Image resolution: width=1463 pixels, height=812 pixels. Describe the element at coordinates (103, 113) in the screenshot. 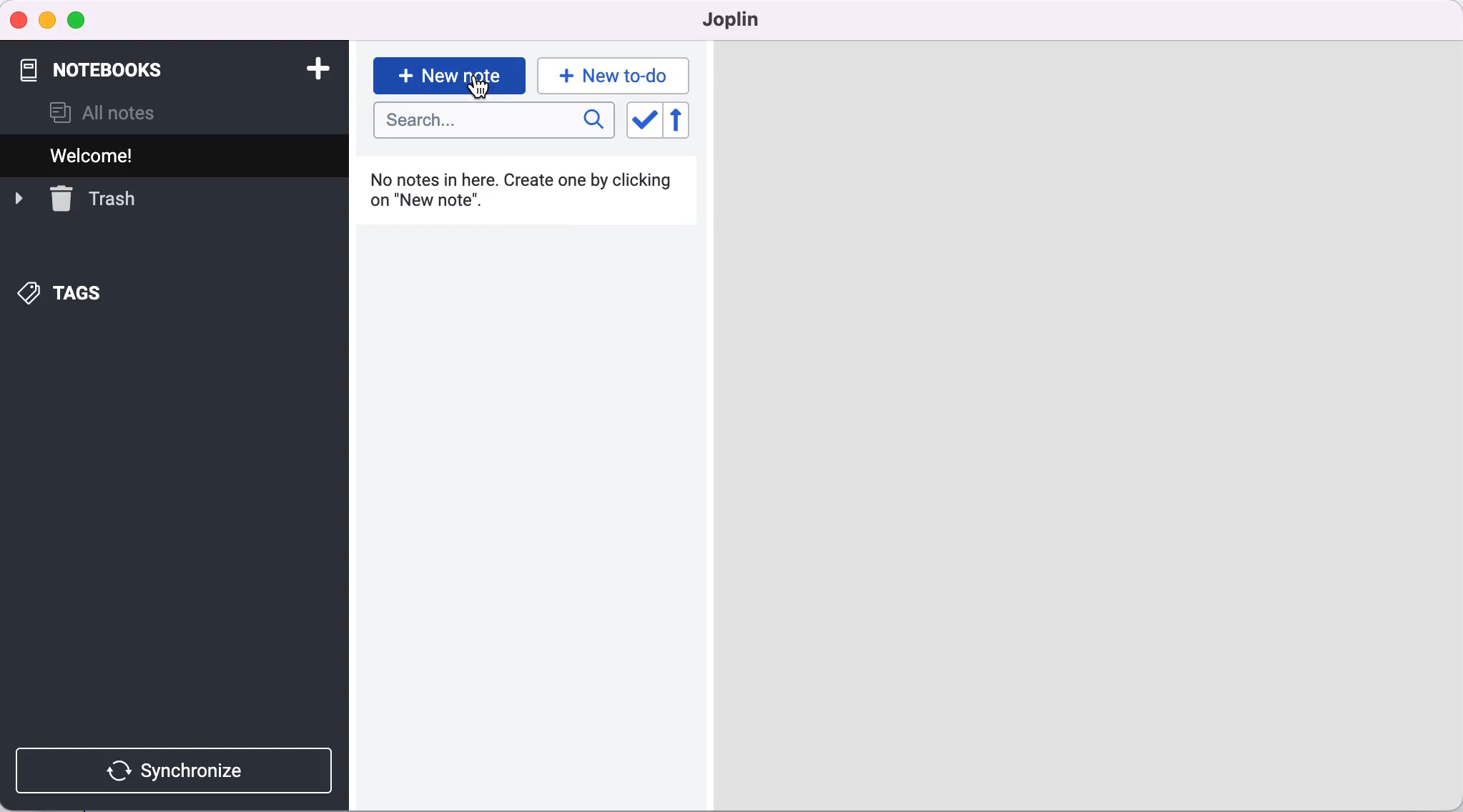

I see `all notes` at that location.